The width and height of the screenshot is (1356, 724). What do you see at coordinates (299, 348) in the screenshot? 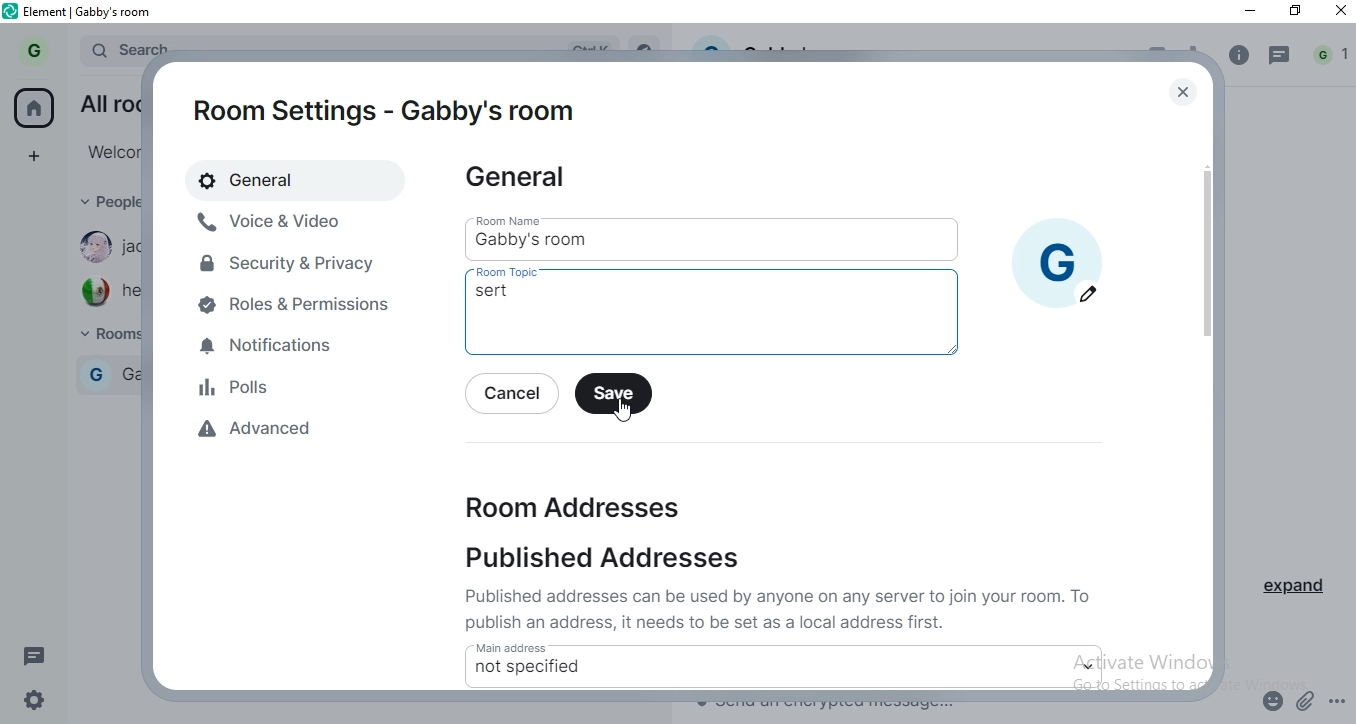
I see `notifications` at bounding box center [299, 348].